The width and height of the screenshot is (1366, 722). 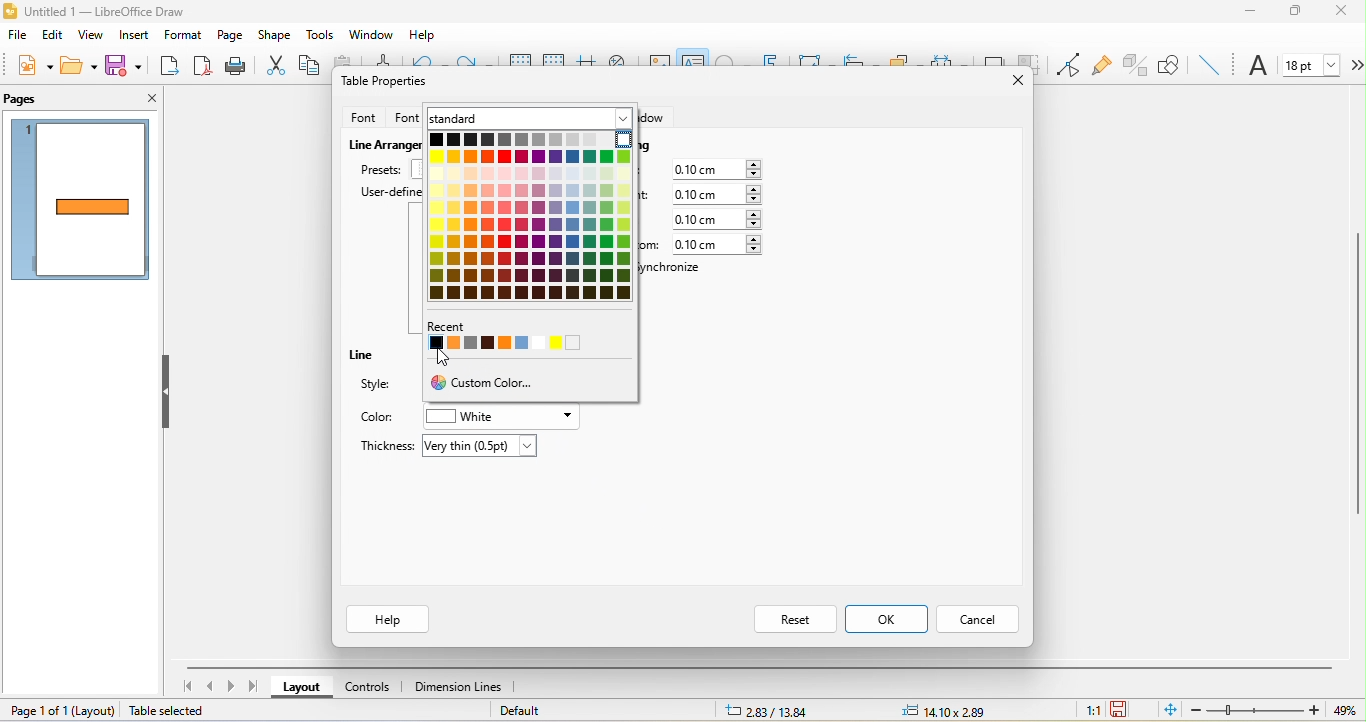 What do you see at coordinates (235, 64) in the screenshot?
I see `print` at bounding box center [235, 64].